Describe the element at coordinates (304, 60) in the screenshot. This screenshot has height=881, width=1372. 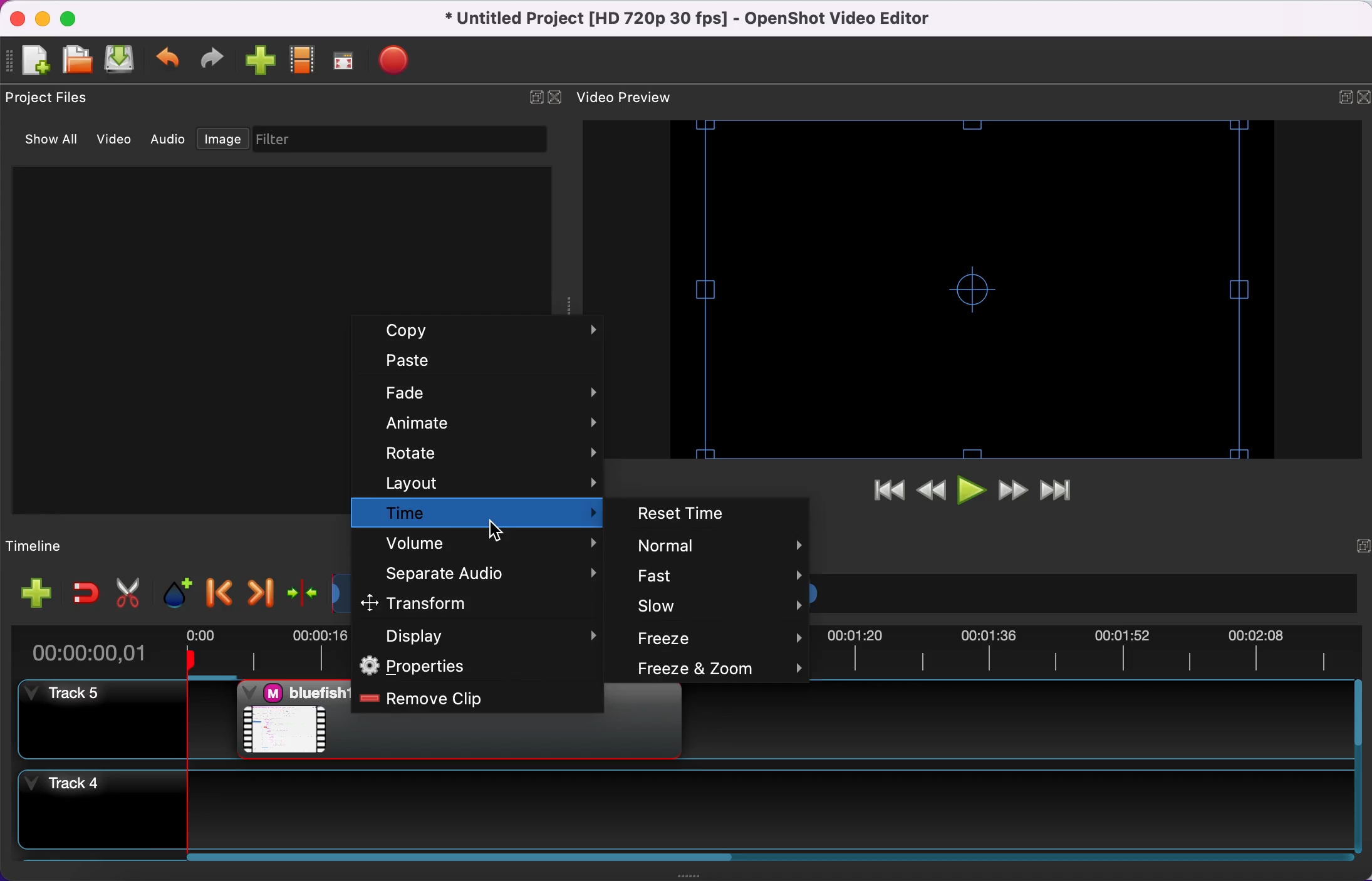
I see `choose profile` at that location.